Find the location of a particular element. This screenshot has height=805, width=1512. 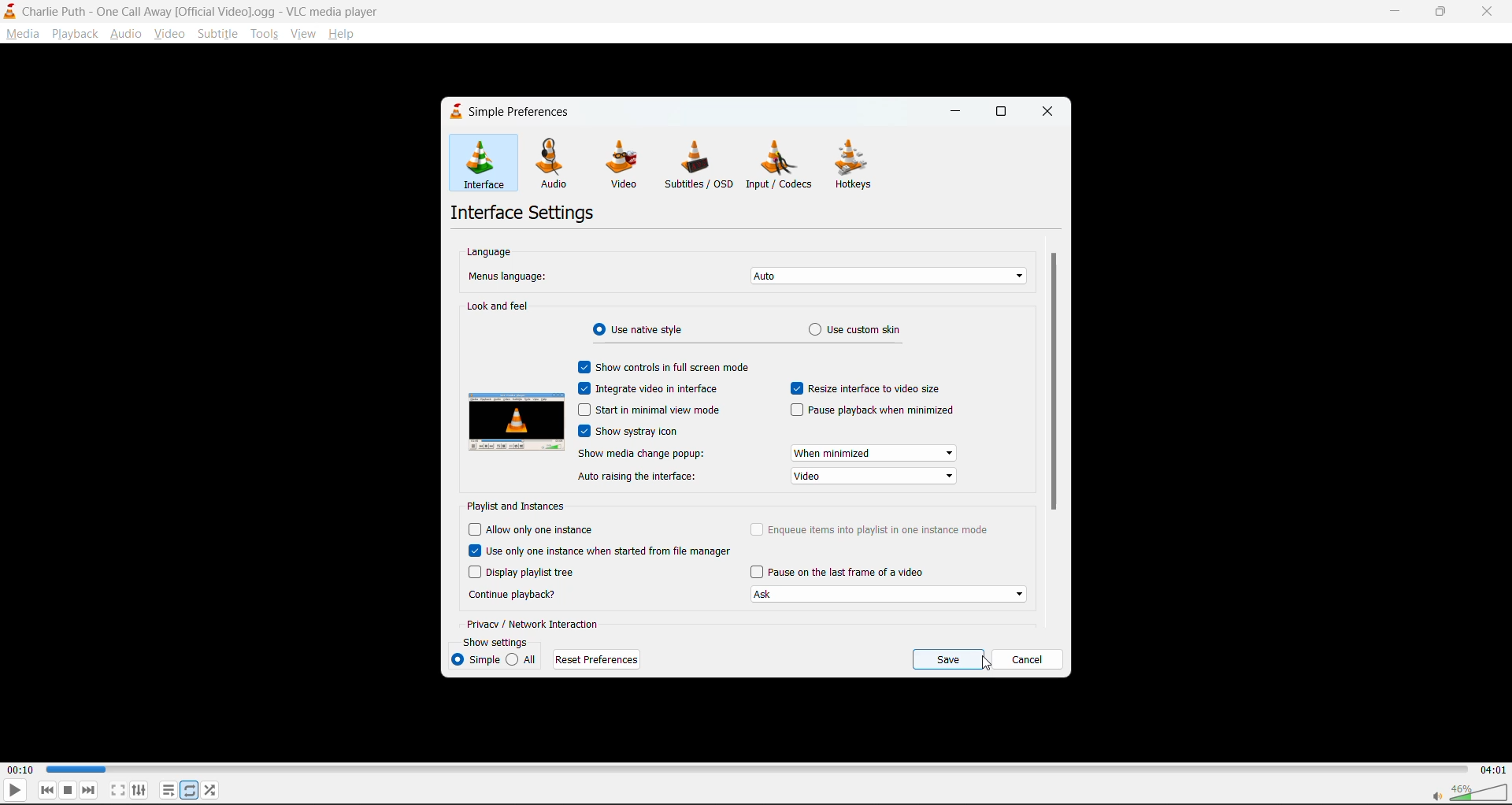

next is located at coordinates (87, 792).